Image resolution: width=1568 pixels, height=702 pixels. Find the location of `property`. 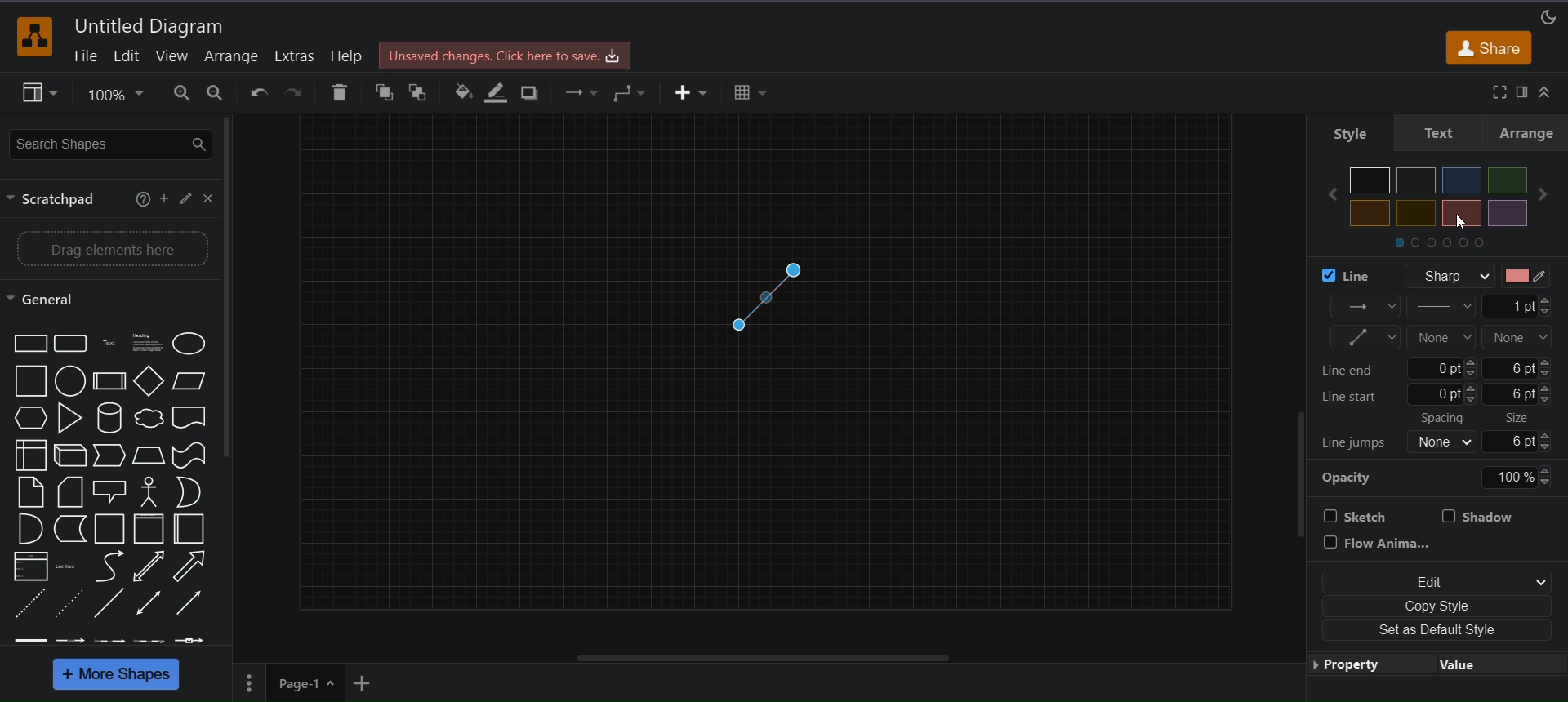

property is located at coordinates (1355, 664).